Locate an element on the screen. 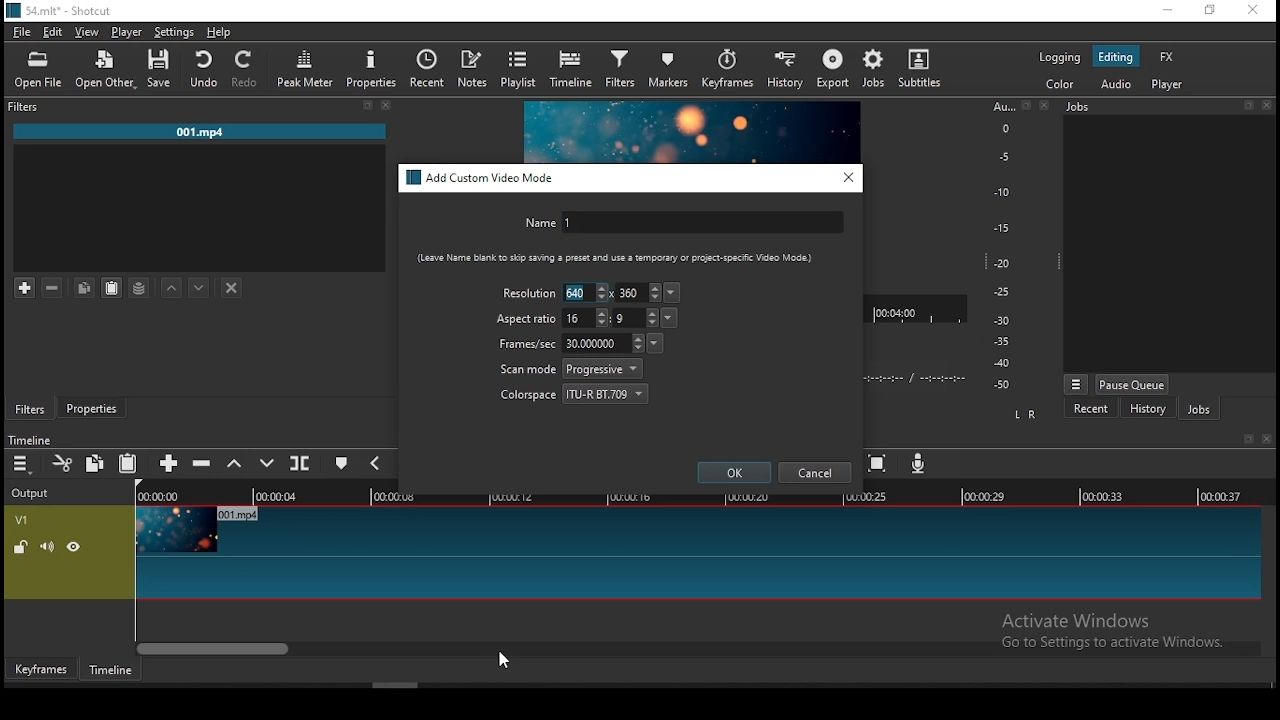 The width and height of the screenshot is (1280, 720). 00:00:08 is located at coordinates (402, 497).